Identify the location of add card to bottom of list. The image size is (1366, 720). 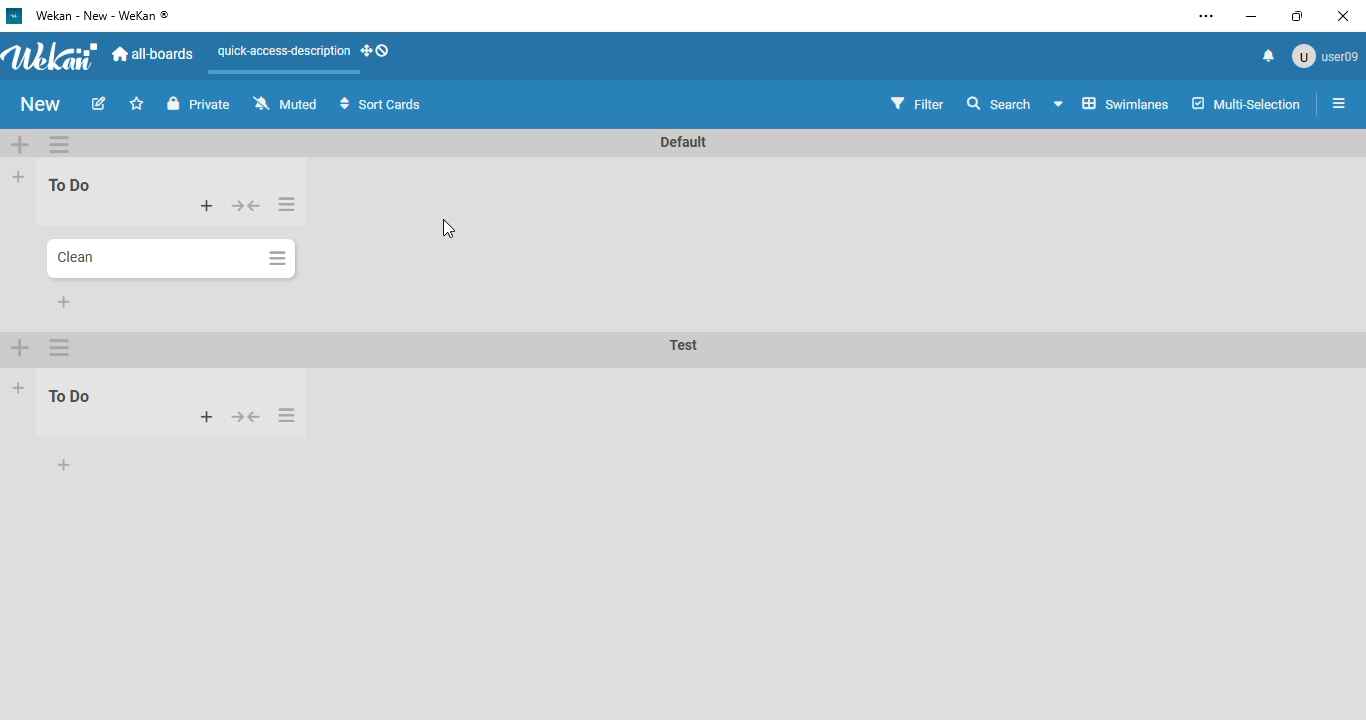
(64, 465).